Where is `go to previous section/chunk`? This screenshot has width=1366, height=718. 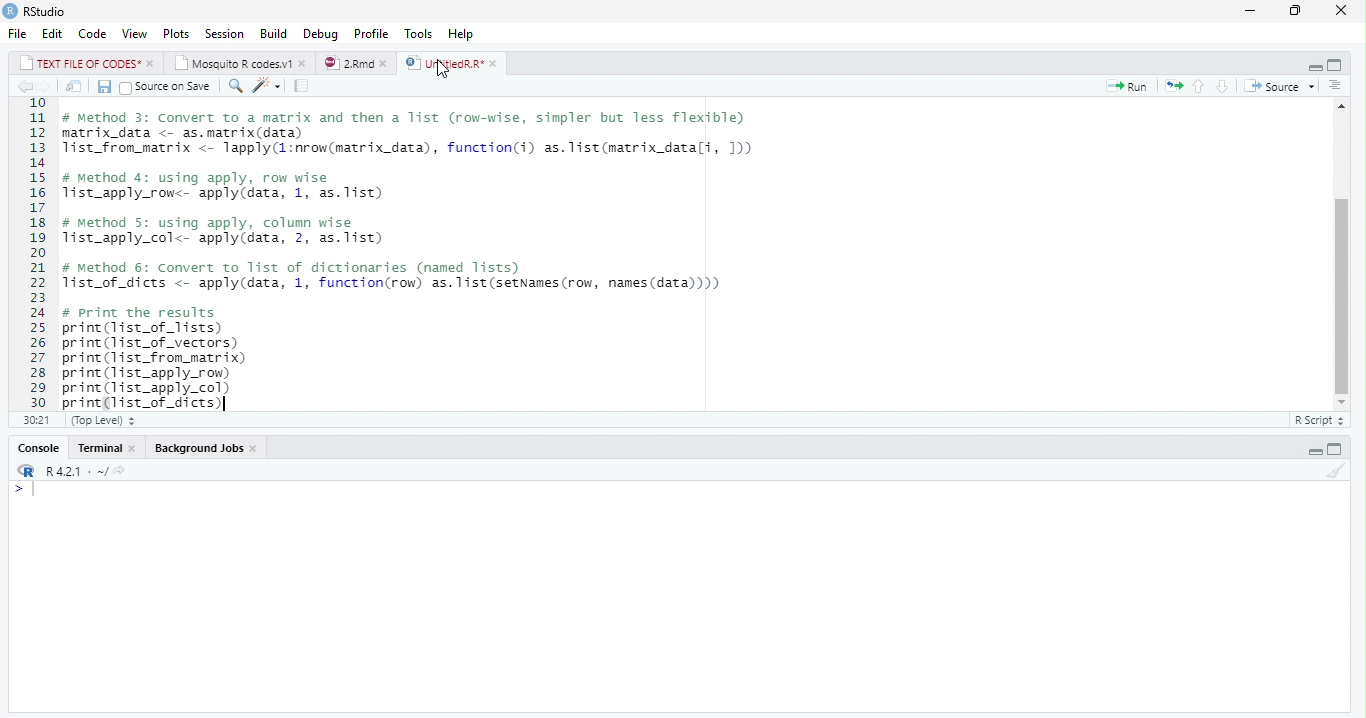 go to previous section/chunk is located at coordinates (1196, 86).